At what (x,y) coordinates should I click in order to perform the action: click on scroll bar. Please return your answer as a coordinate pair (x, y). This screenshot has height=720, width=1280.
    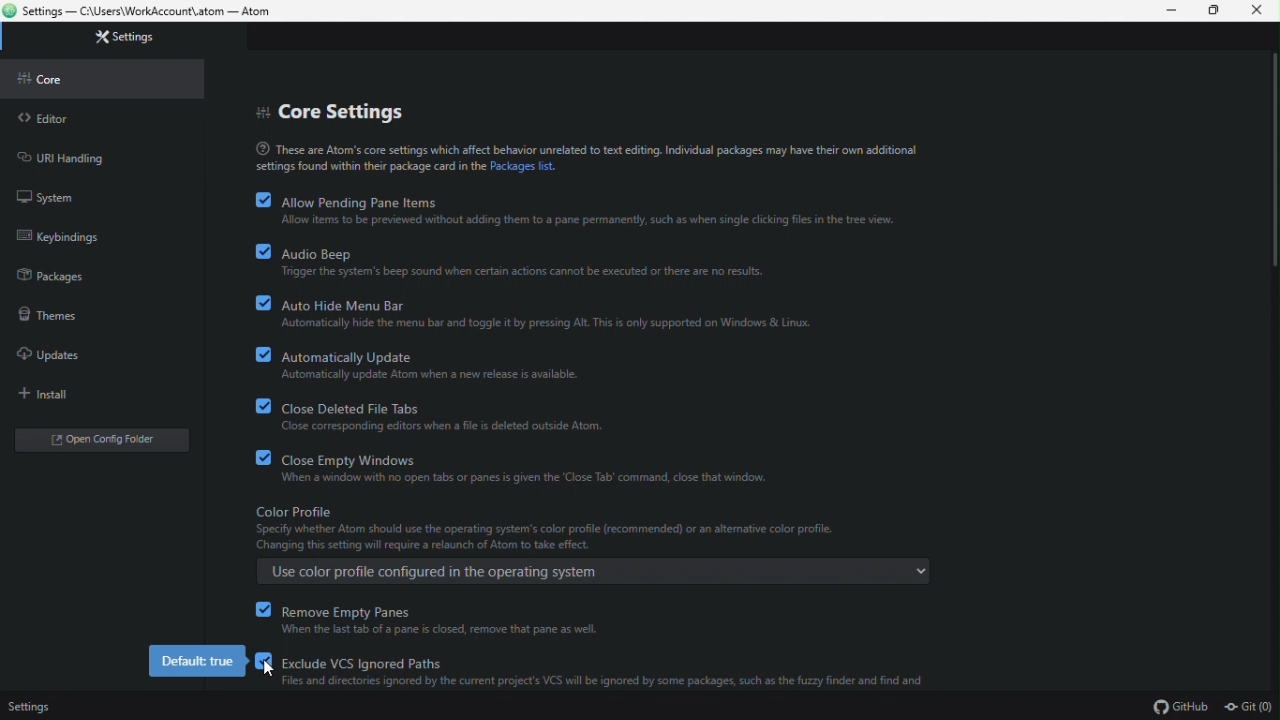
    Looking at the image, I should click on (1271, 162).